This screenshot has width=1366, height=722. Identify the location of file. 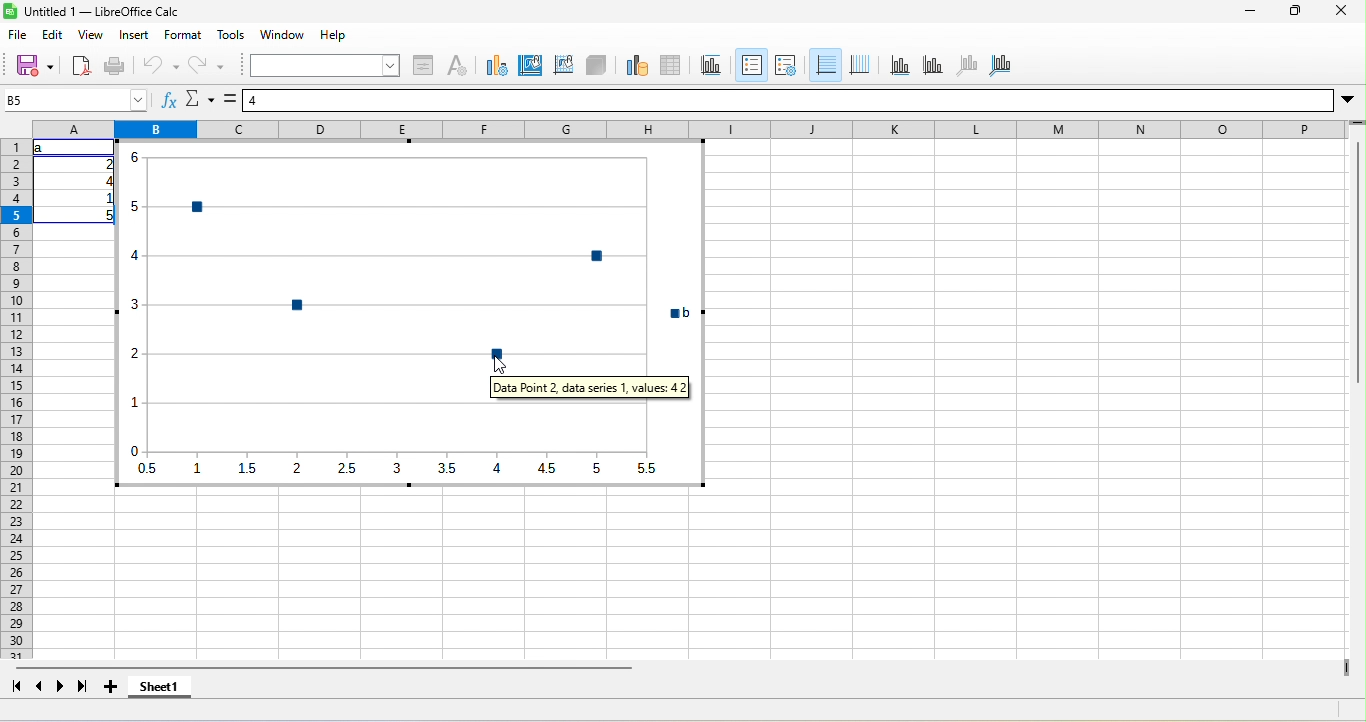
(18, 35).